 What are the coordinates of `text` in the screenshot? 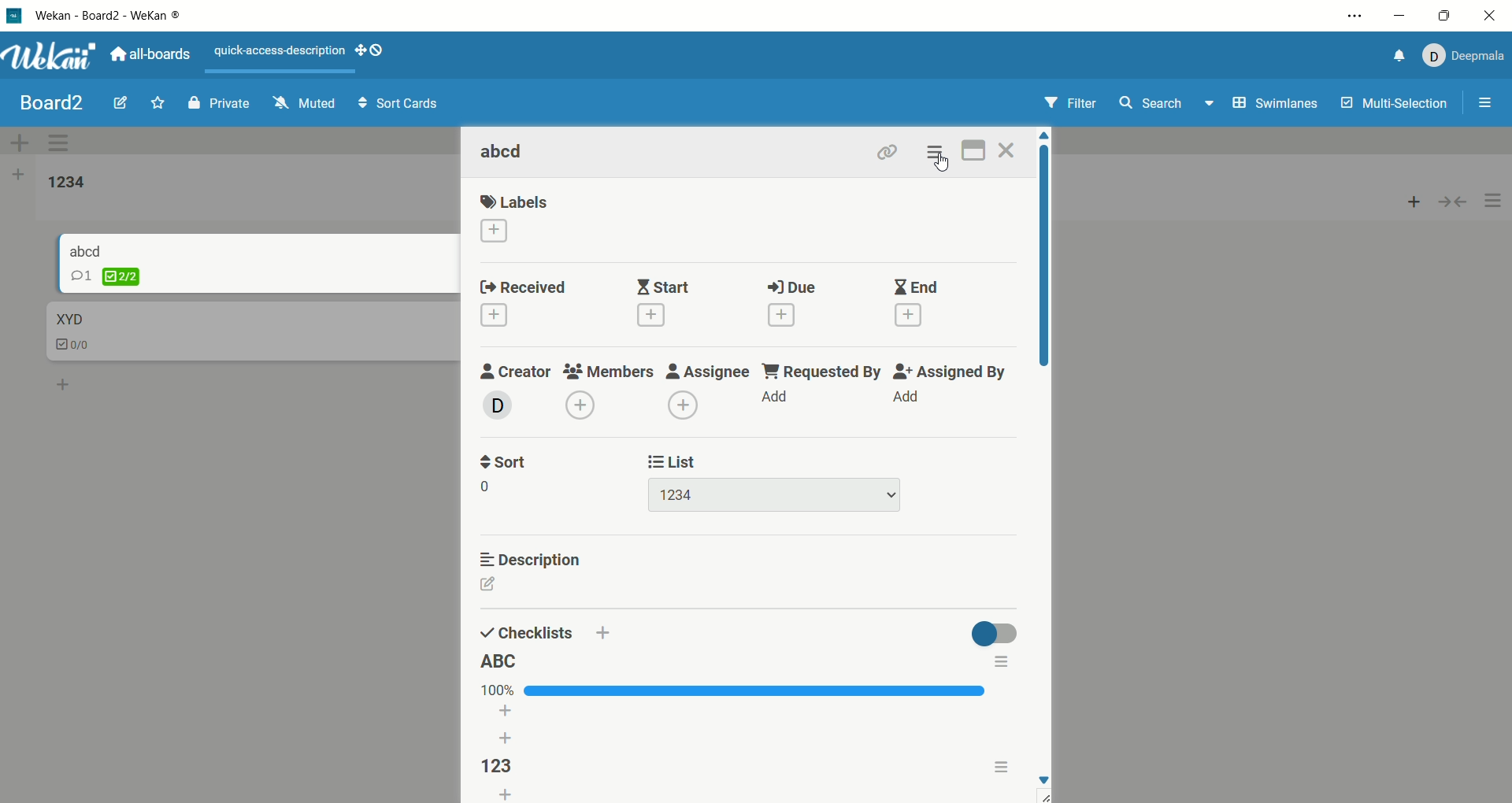 It's located at (281, 52).